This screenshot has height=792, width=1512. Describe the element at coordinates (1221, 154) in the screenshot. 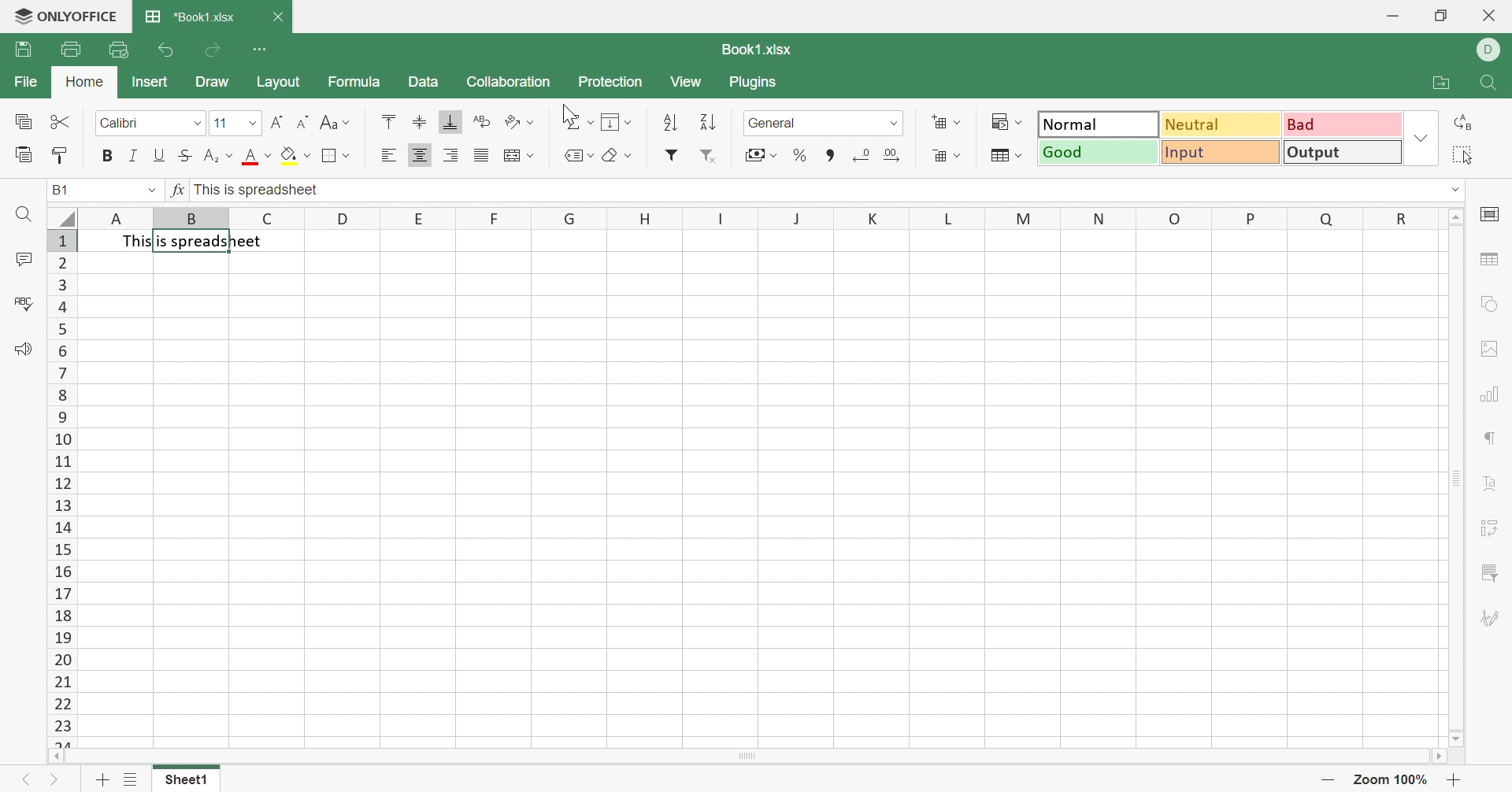

I see `Input` at that location.